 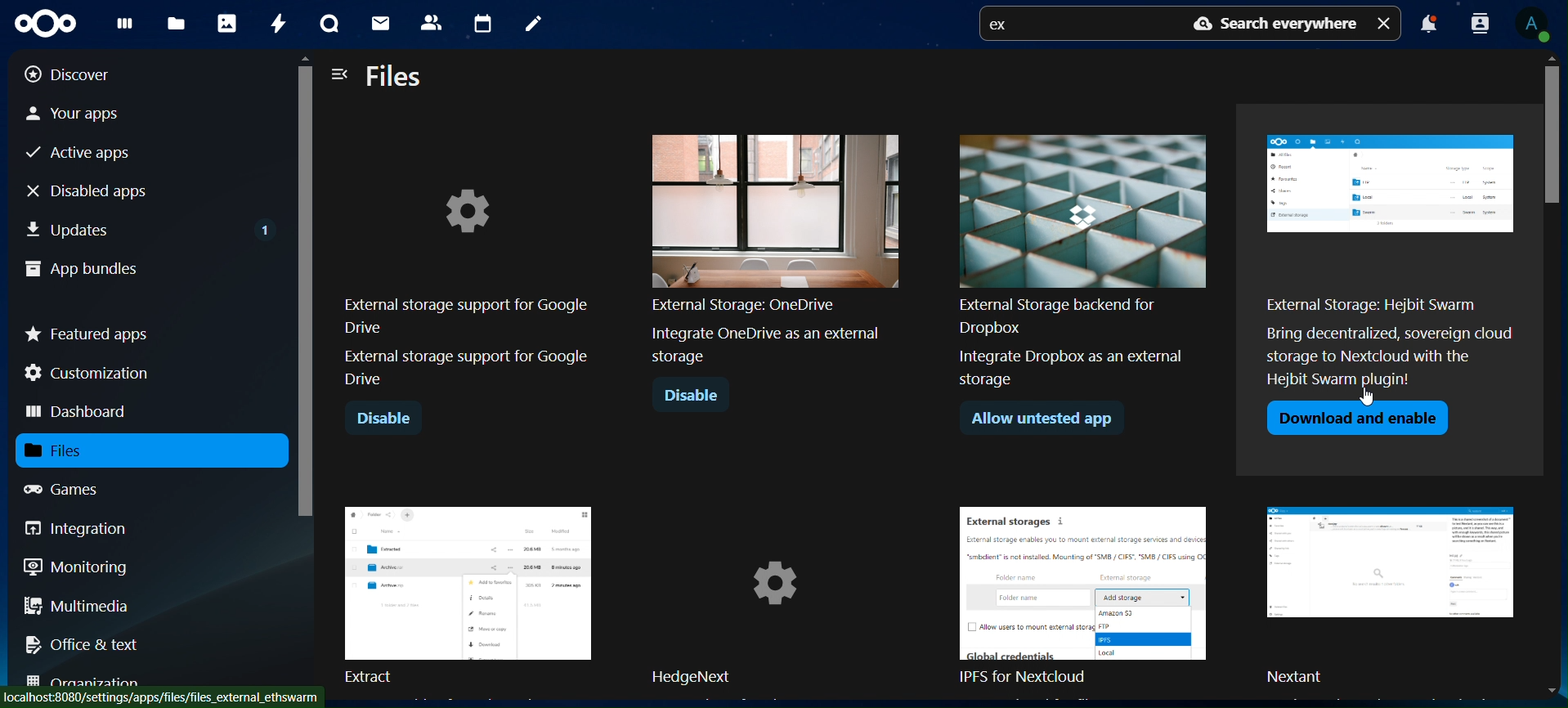 What do you see at coordinates (465, 288) in the screenshot?
I see `external storage support for google drive external storage support for google drive` at bounding box center [465, 288].